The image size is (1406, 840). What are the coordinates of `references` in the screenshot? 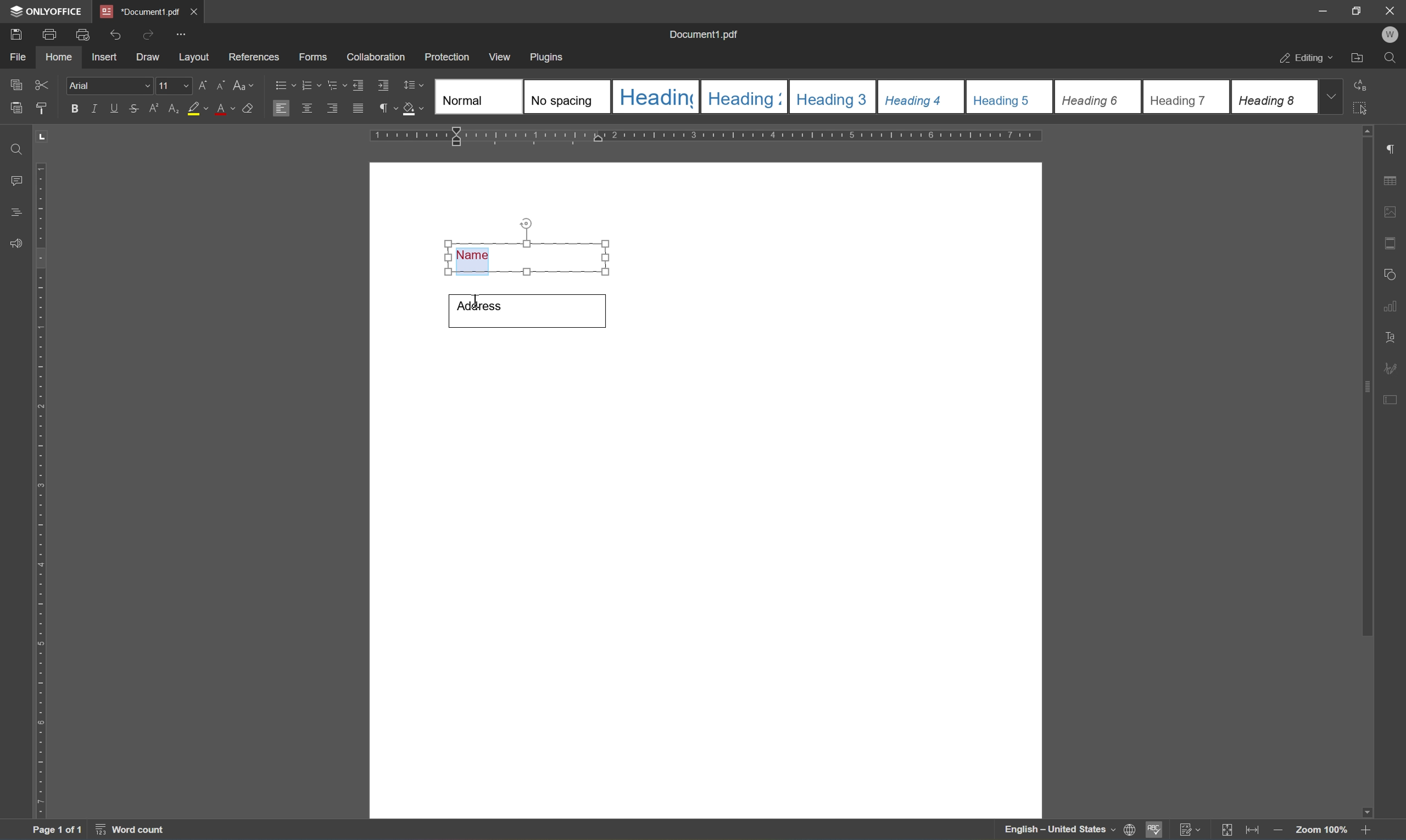 It's located at (253, 57).